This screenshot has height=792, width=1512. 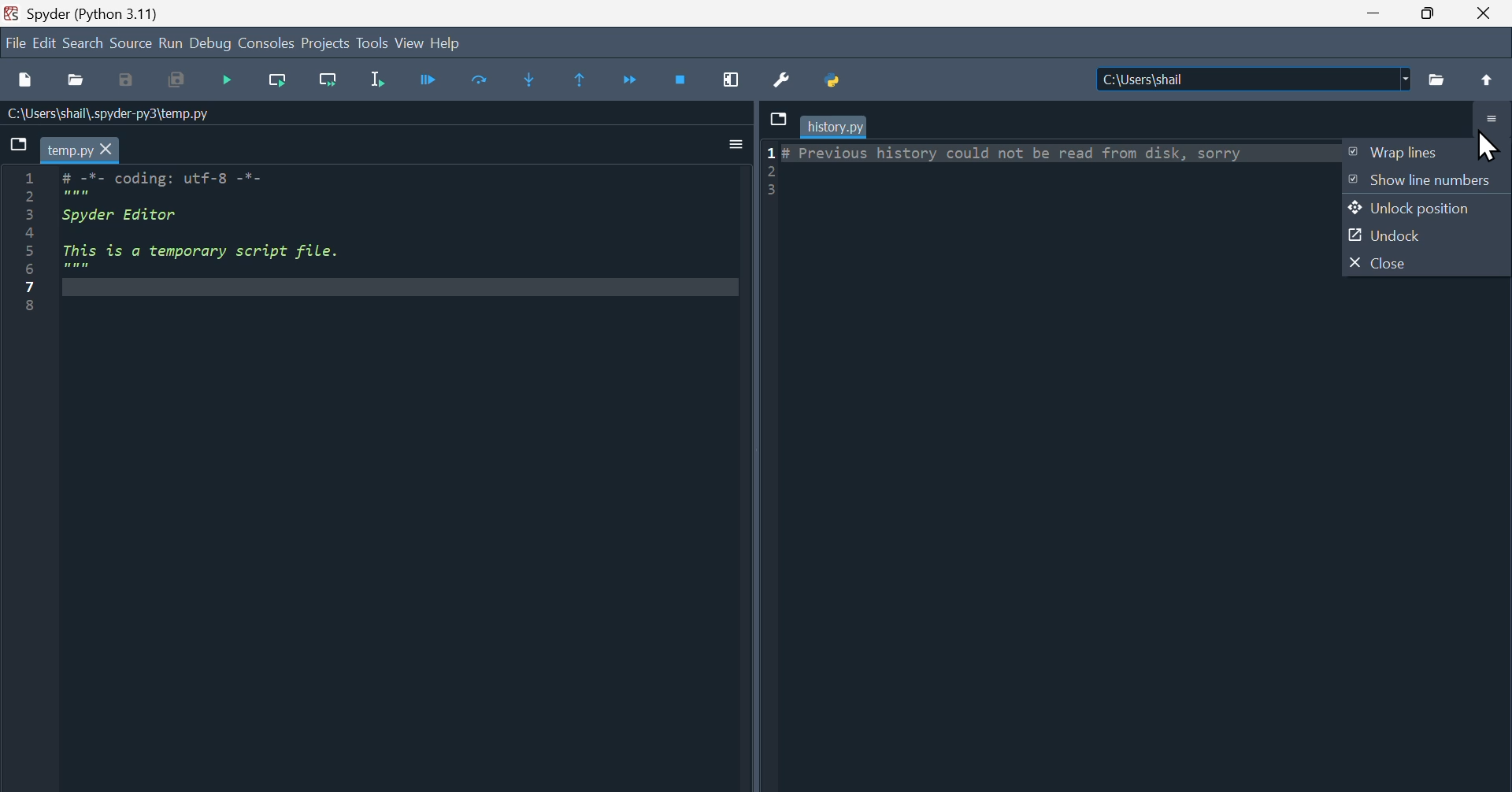 I want to click on Run current line and go to the next one, so click(x=329, y=81).